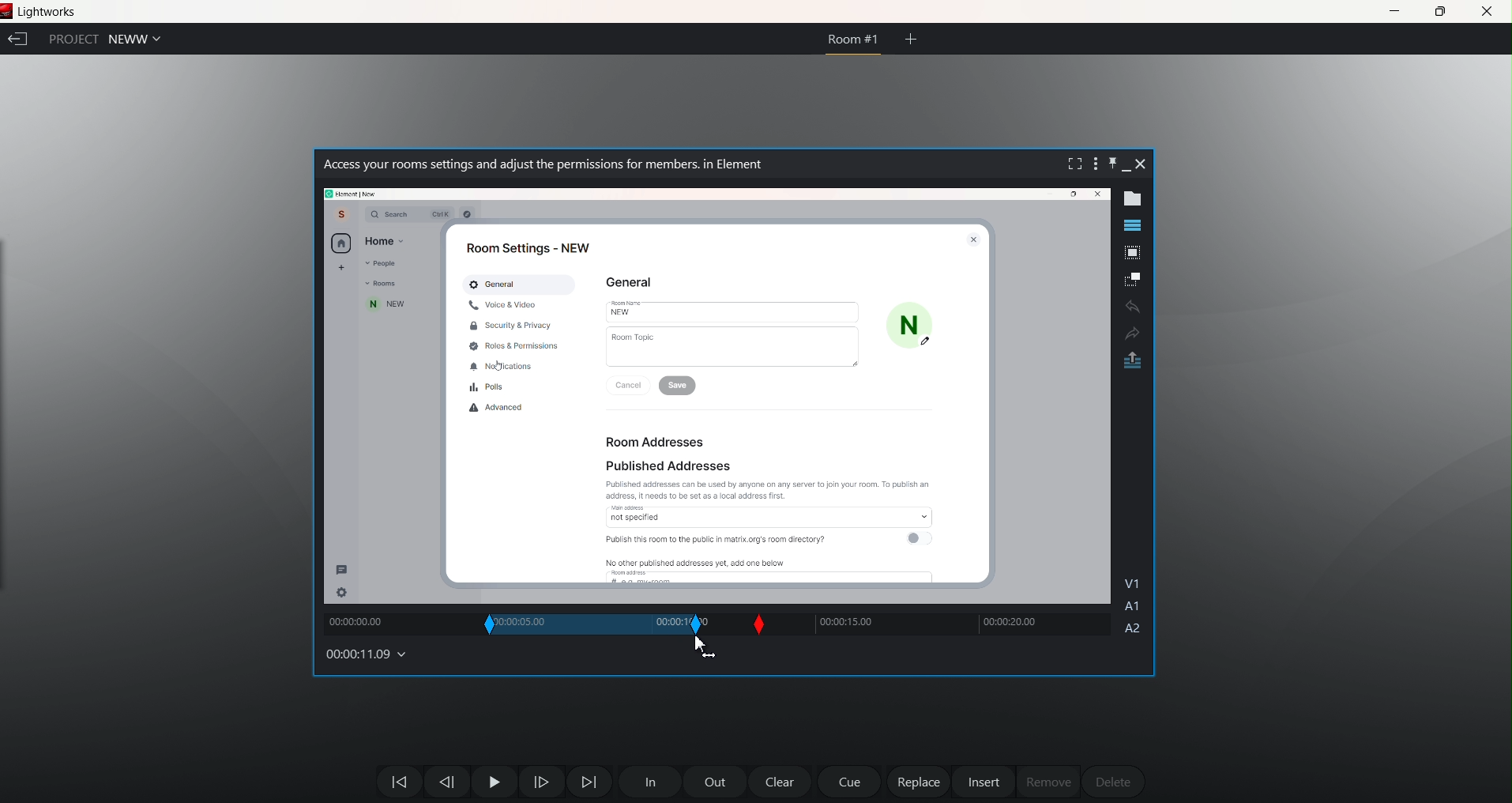 The width and height of the screenshot is (1512, 803). I want to click on exit current project, so click(18, 40).